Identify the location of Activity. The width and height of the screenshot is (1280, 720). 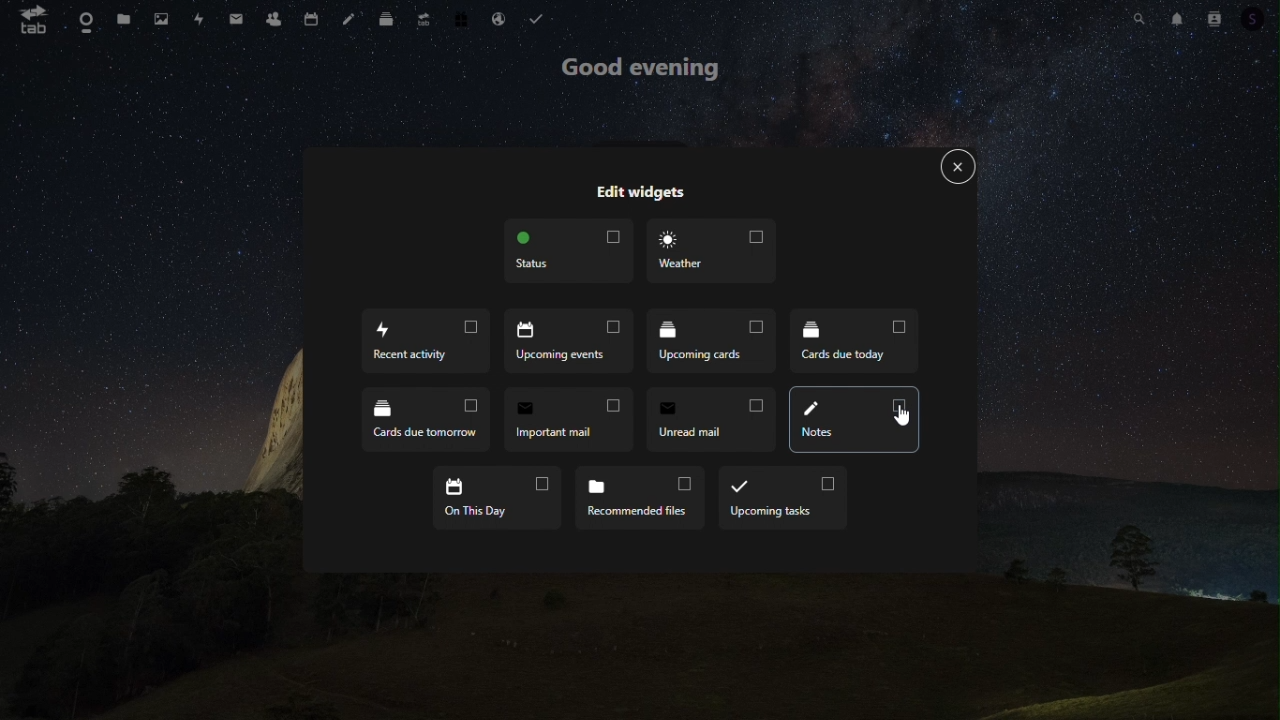
(199, 18).